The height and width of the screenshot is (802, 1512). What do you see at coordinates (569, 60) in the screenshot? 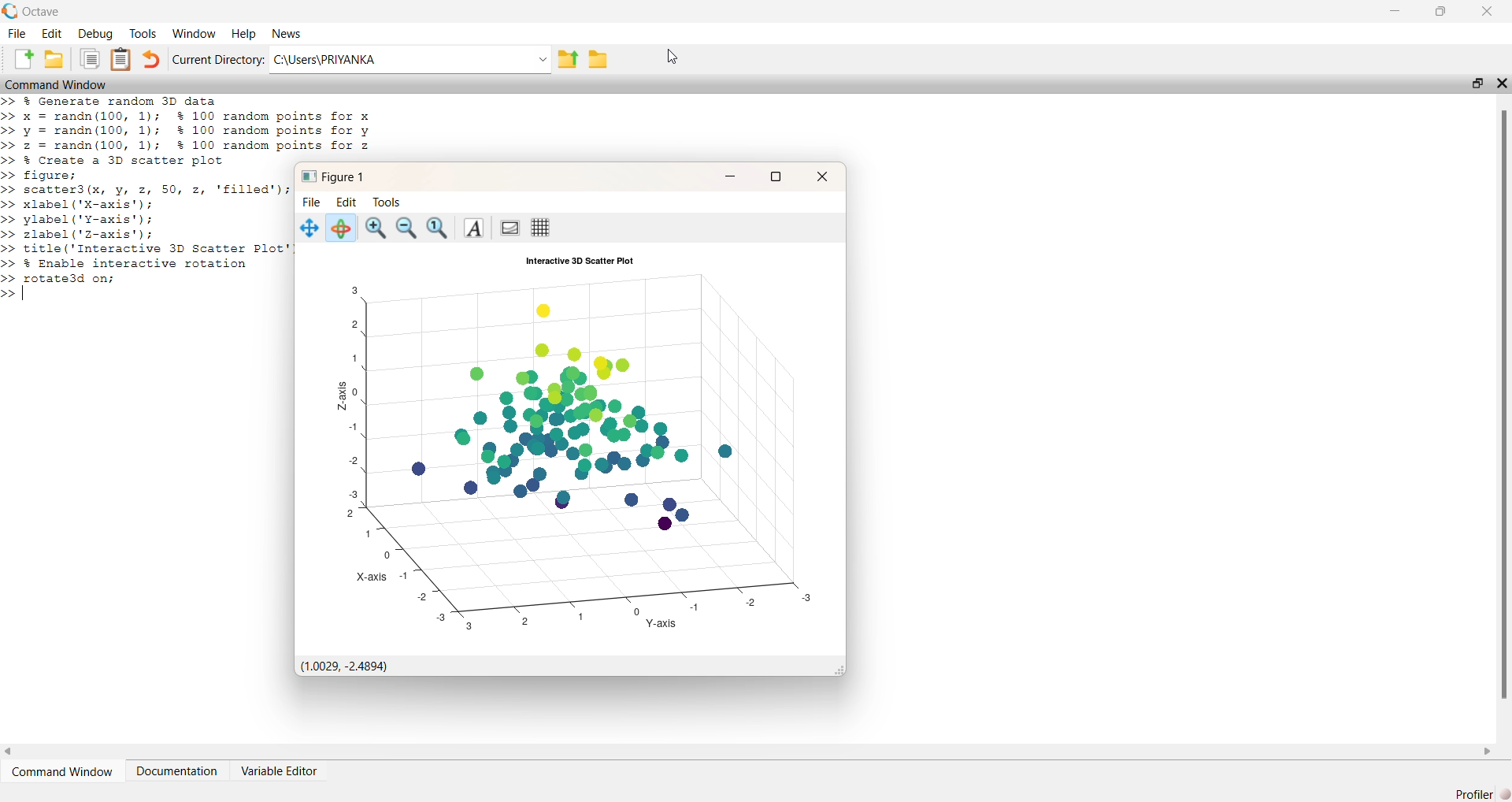
I see `parent directory` at bounding box center [569, 60].